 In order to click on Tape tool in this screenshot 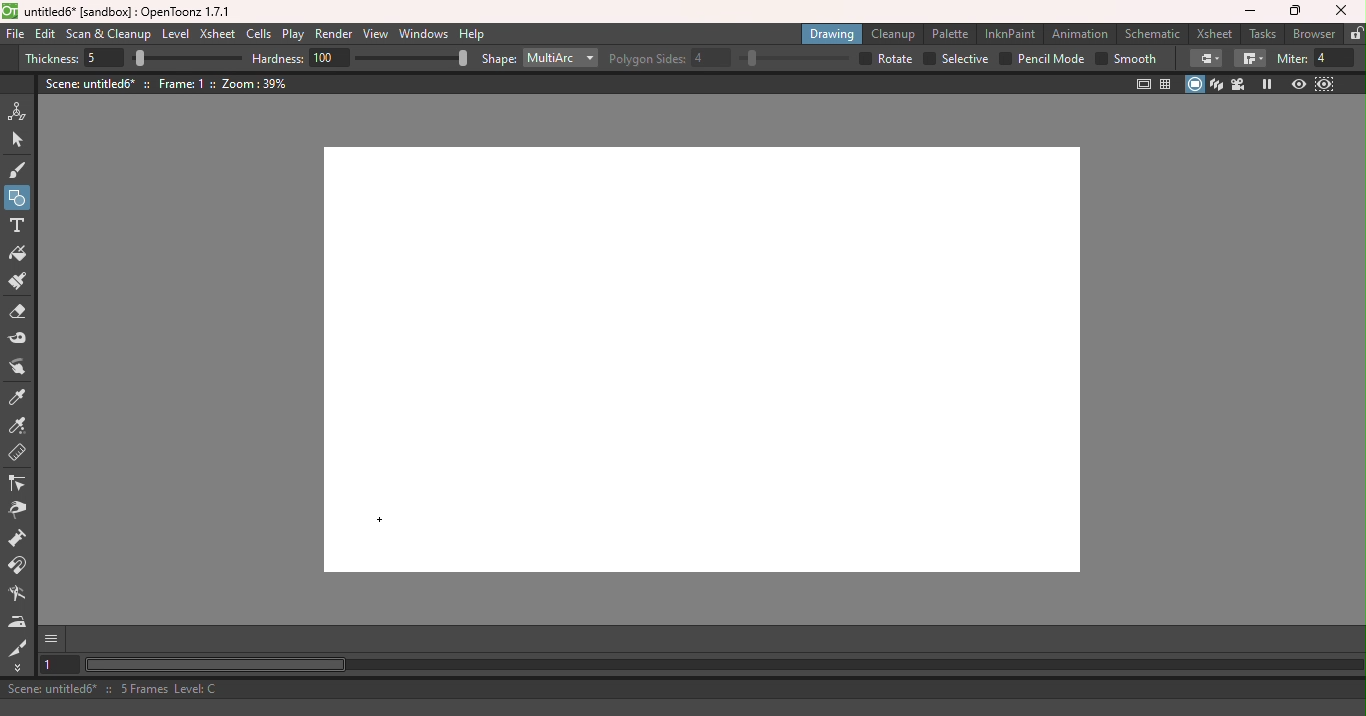, I will do `click(17, 341)`.